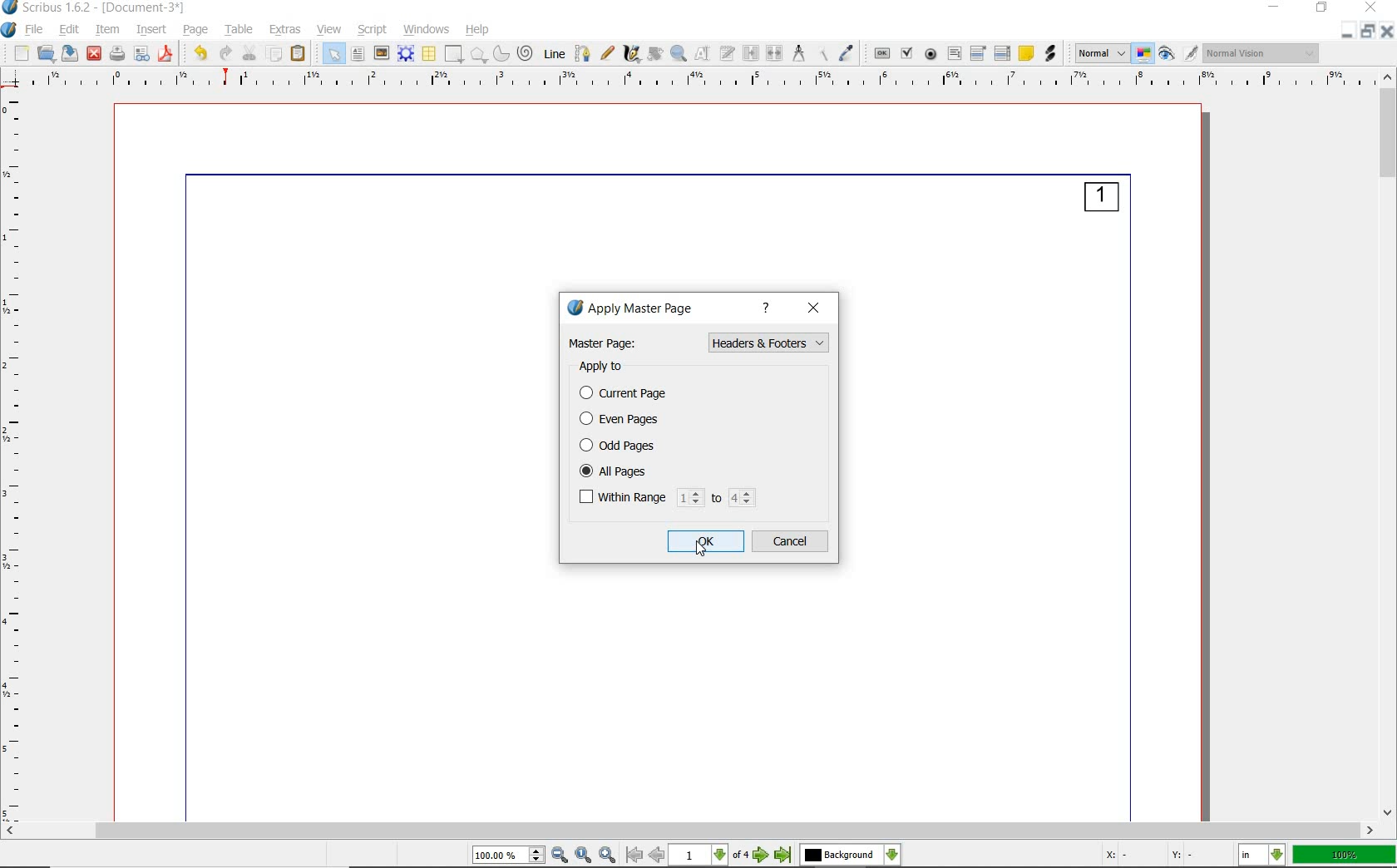 Image resolution: width=1397 pixels, height=868 pixels. What do you see at coordinates (931, 55) in the screenshot?
I see `pdf radio button` at bounding box center [931, 55].